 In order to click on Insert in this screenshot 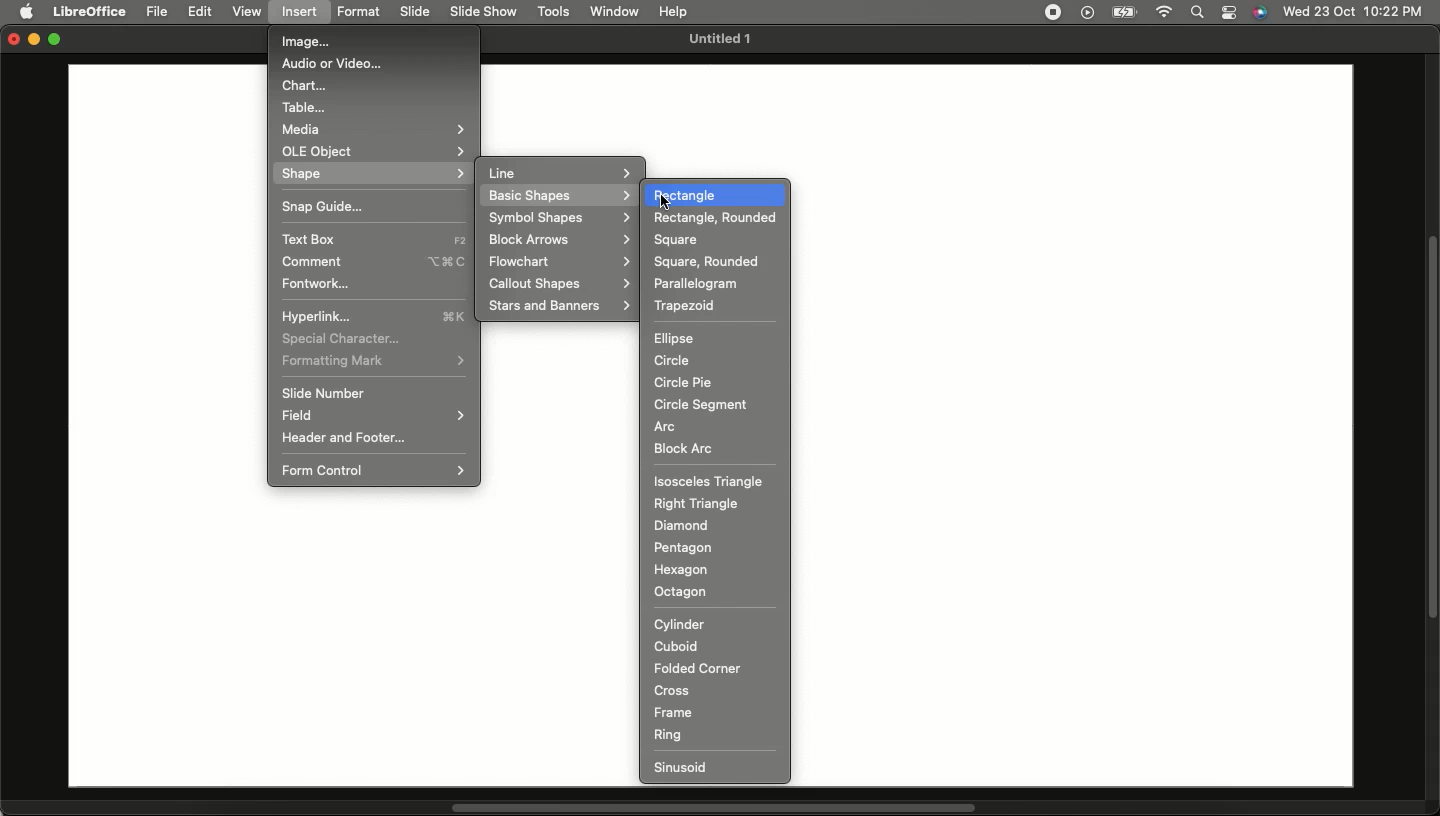, I will do `click(301, 12)`.